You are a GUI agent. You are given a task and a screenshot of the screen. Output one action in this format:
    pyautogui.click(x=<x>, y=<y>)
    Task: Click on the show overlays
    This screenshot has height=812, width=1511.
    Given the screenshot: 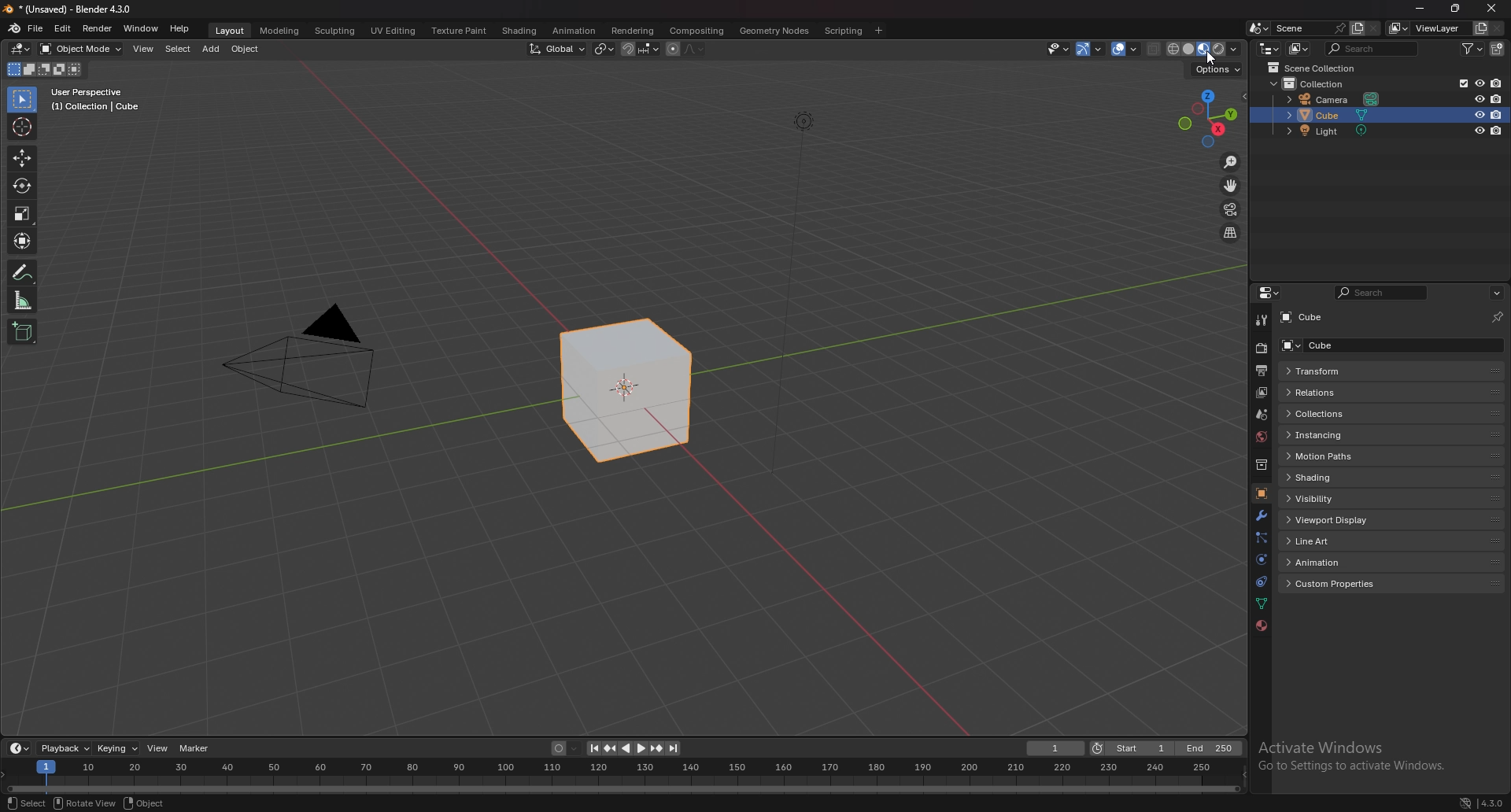 What is the action you would take?
    pyautogui.click(x=1125, y=49)
    